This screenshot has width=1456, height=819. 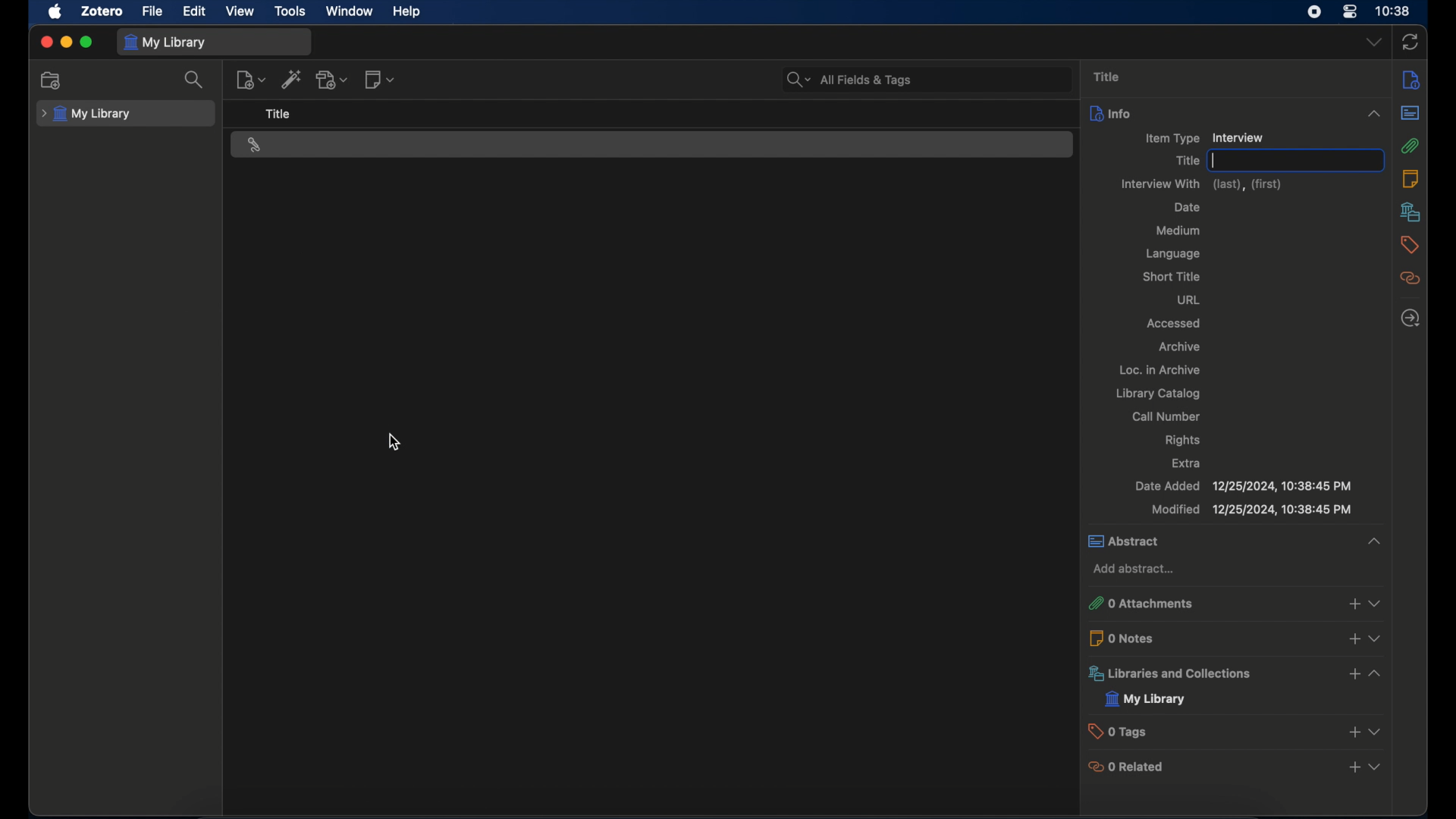 I want to click on view, so click(x=240, y=11).